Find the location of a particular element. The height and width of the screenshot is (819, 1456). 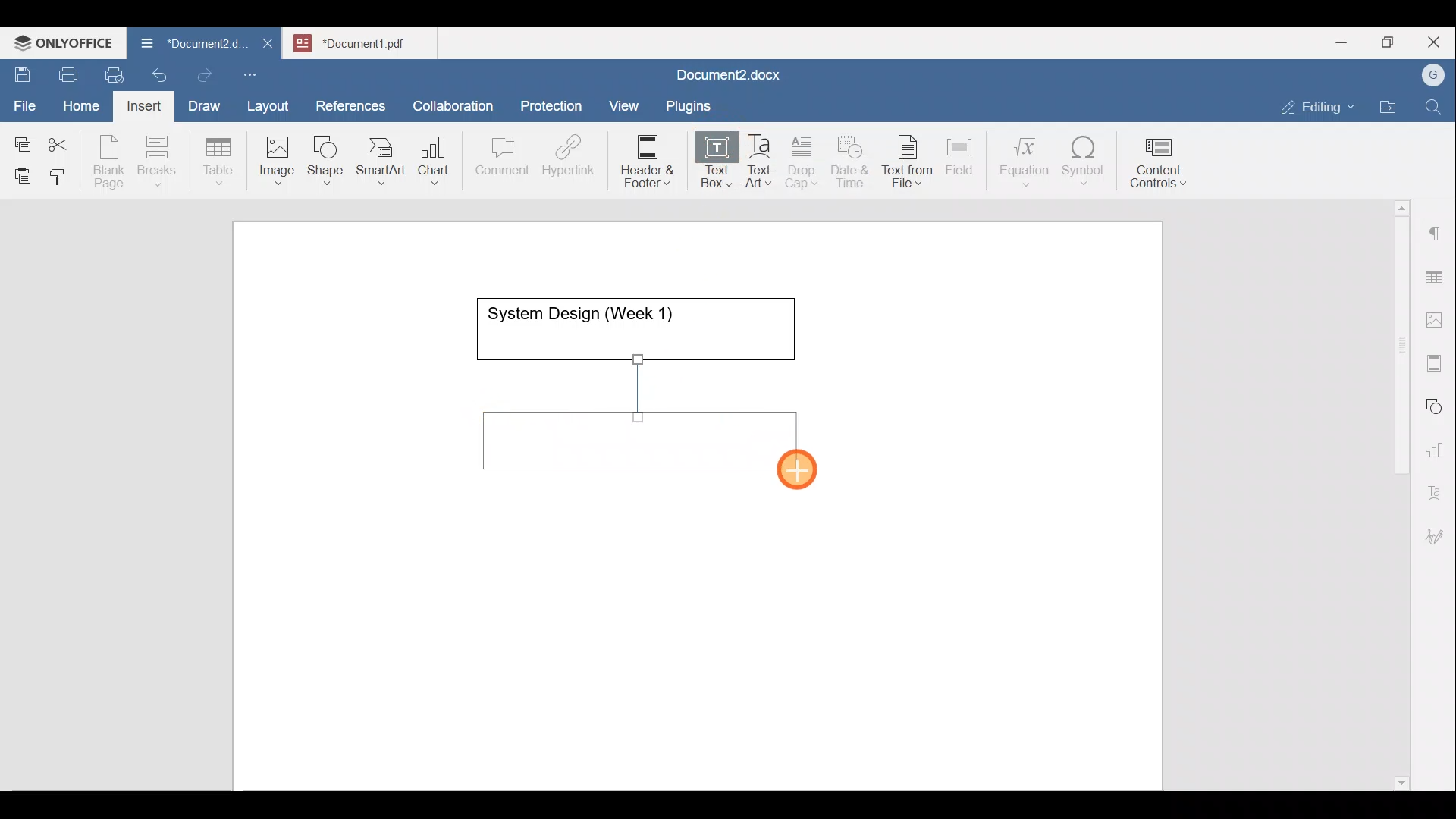

Copy style is located at coordinates (63, 173).